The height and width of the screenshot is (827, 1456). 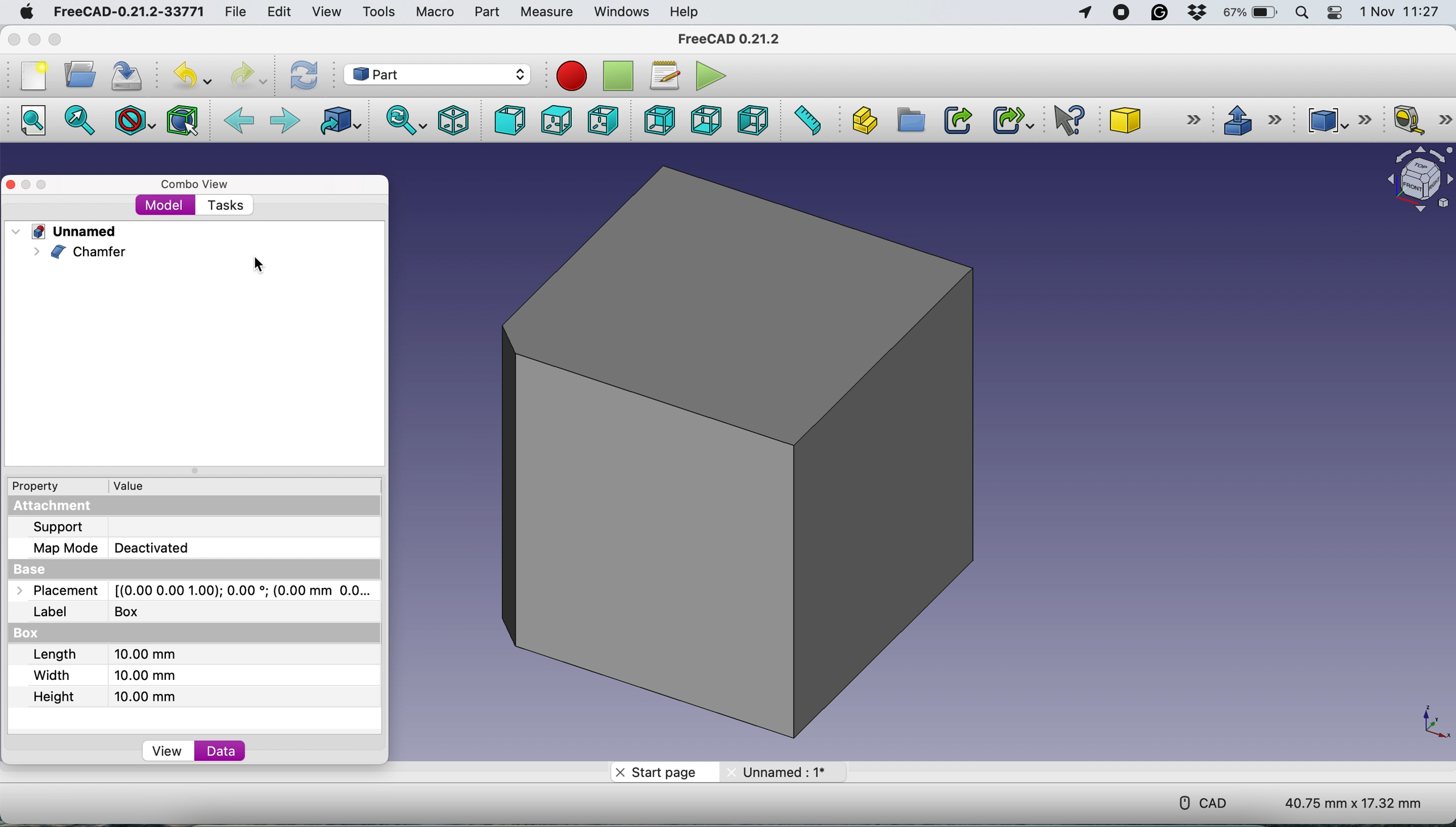 I want to click on forward, so click(x=285, y=120).